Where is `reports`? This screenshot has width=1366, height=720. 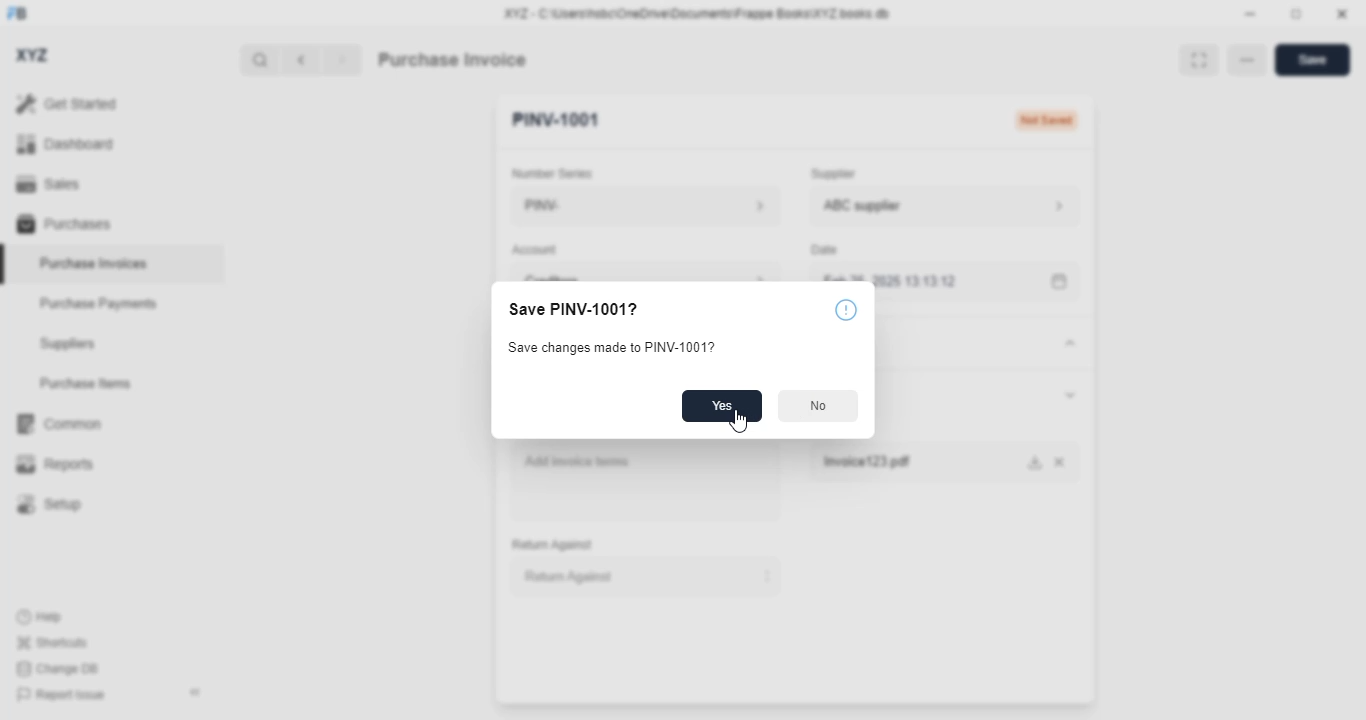 reports is located at coordinates (55, 464).